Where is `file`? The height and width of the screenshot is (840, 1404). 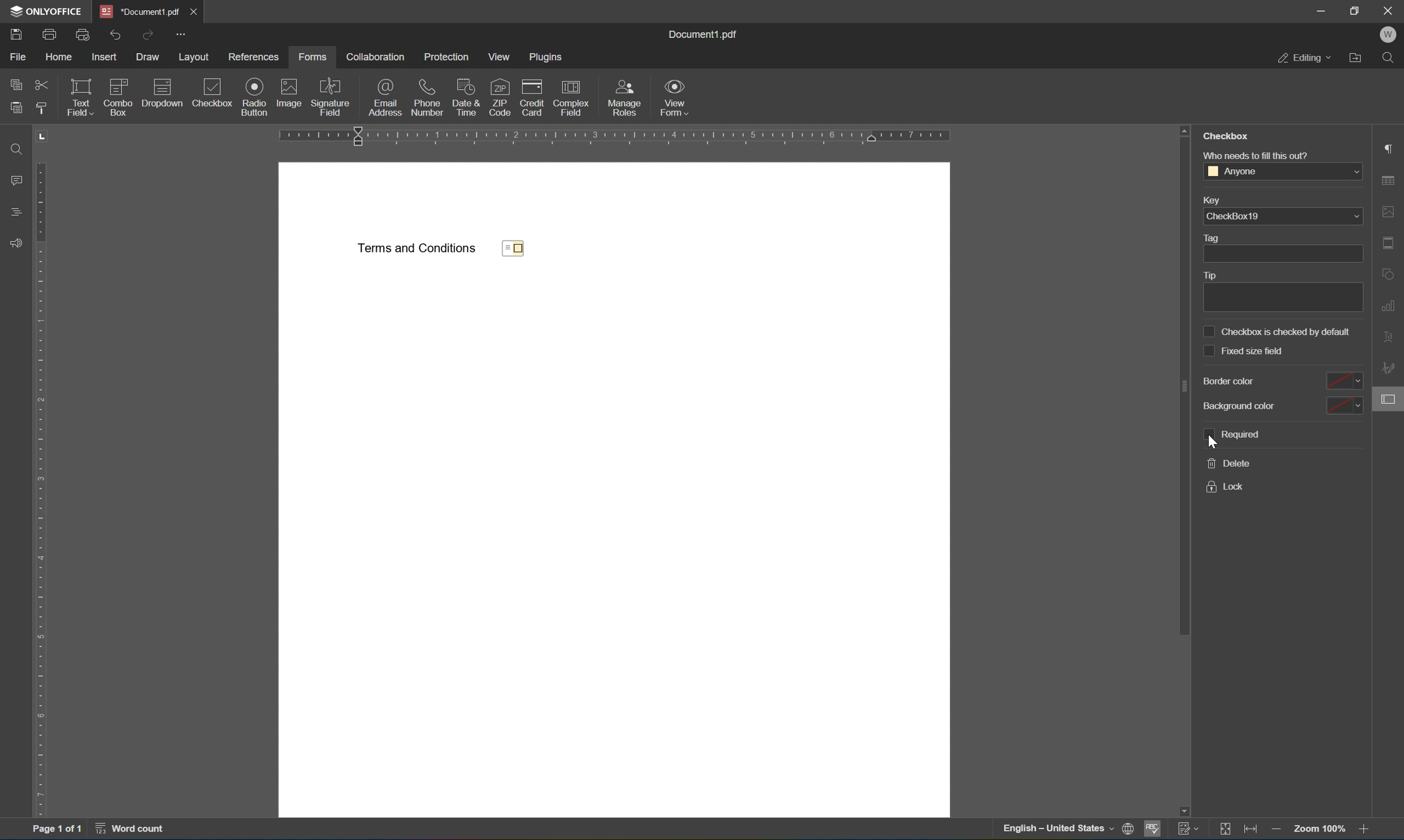 file is located at coordinates (20, 56).